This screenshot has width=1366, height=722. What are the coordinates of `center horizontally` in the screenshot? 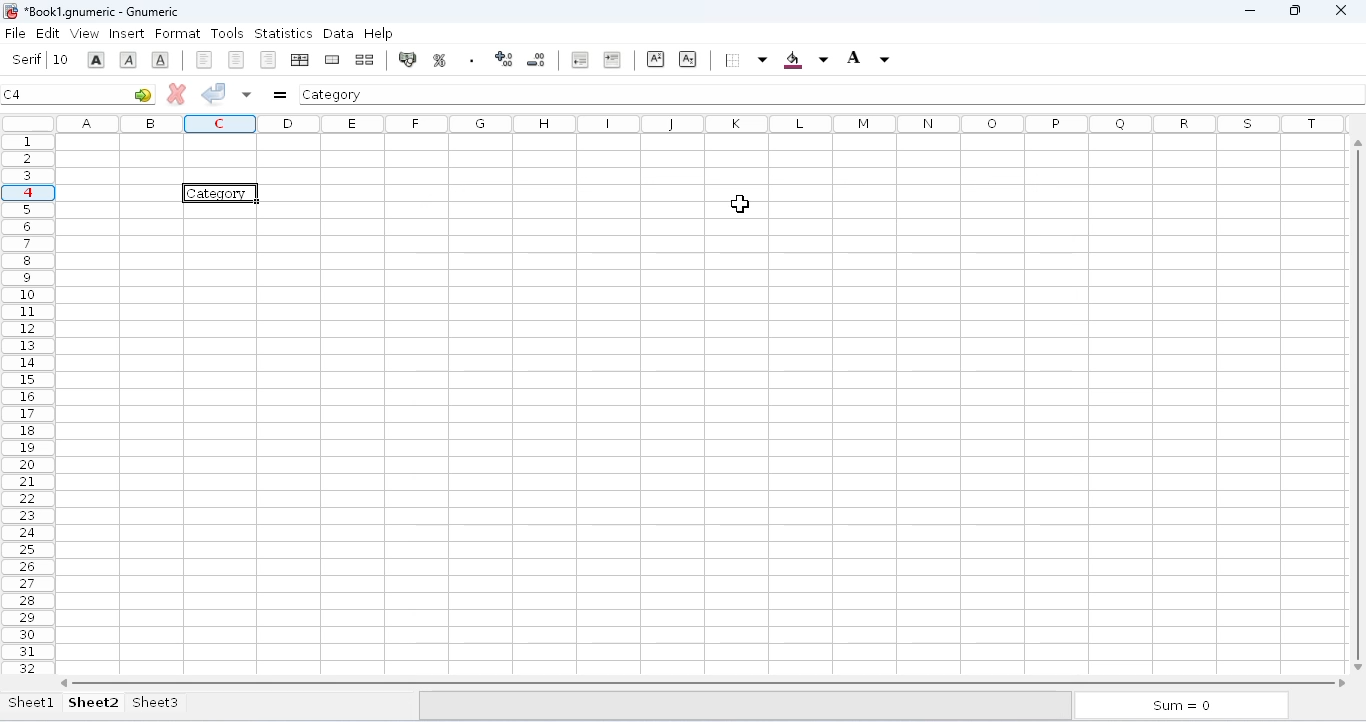 It's located at (265, 60).